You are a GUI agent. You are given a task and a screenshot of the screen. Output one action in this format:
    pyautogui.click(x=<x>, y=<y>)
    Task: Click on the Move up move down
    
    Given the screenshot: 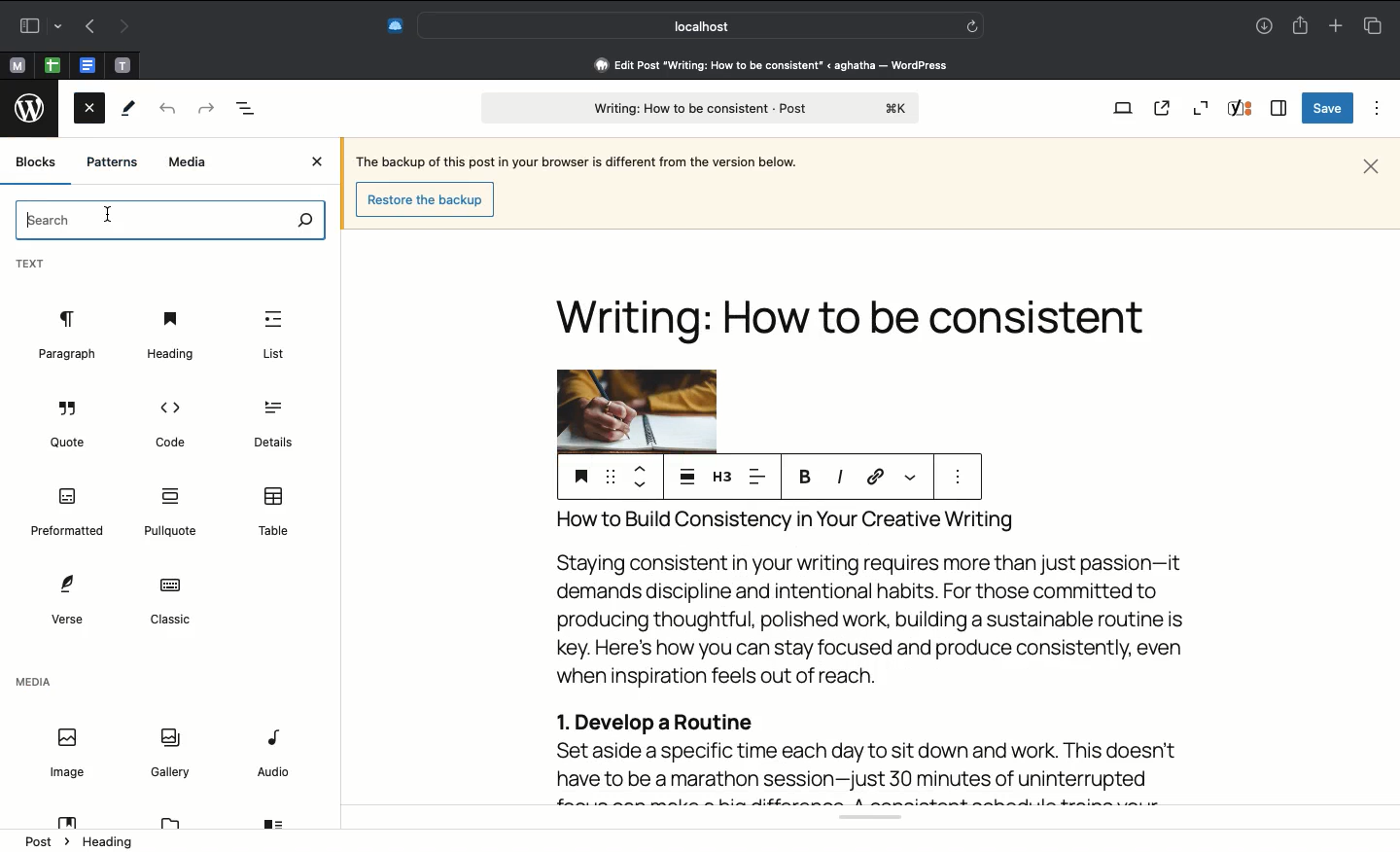 What is the action you would take?
    pyautogui.click(x=639, y=476)
    